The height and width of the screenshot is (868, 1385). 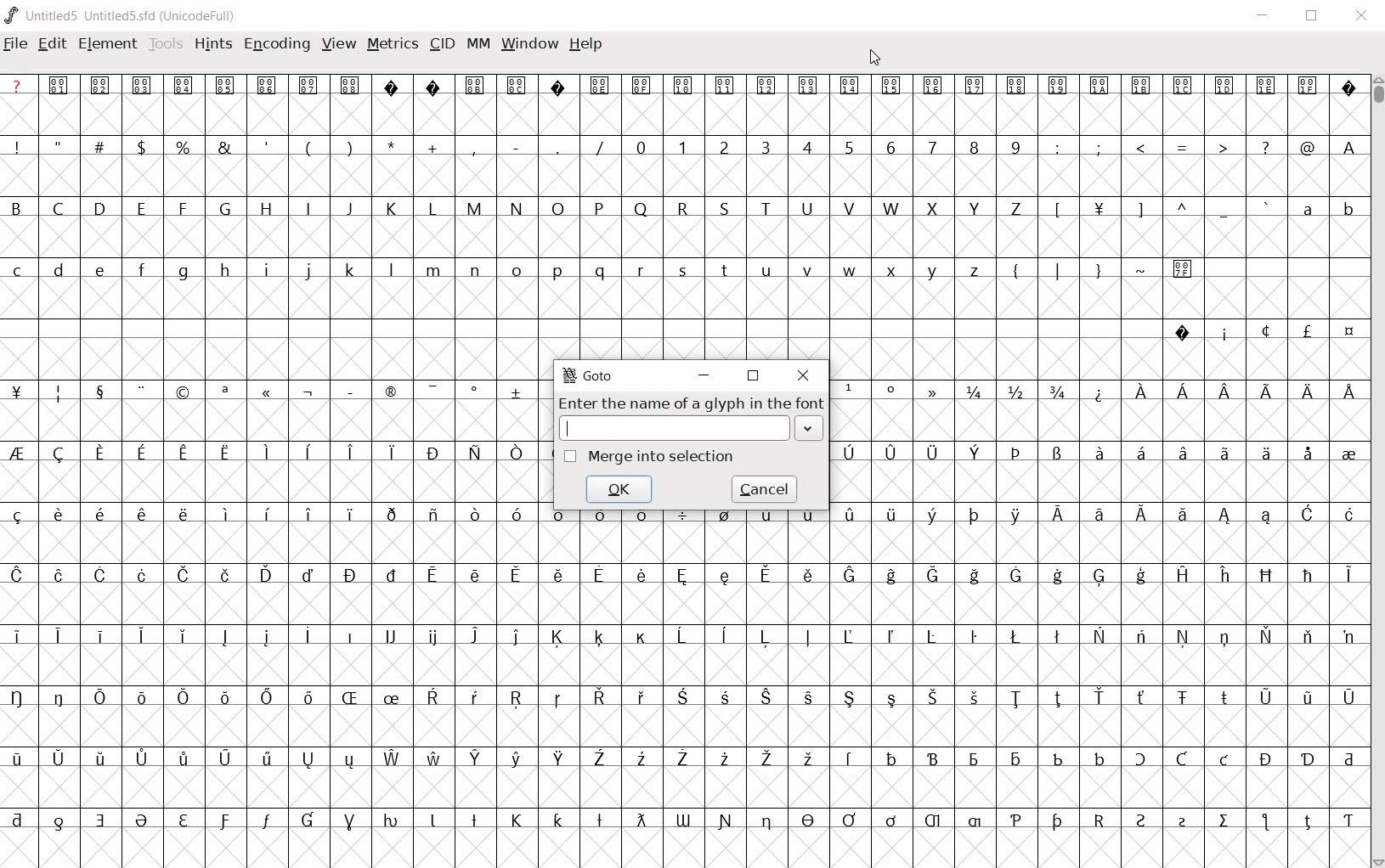 What do you see at coordinates (59, 392) in the screenshot?
I see `Symbol` at bounding box center [59, 392].